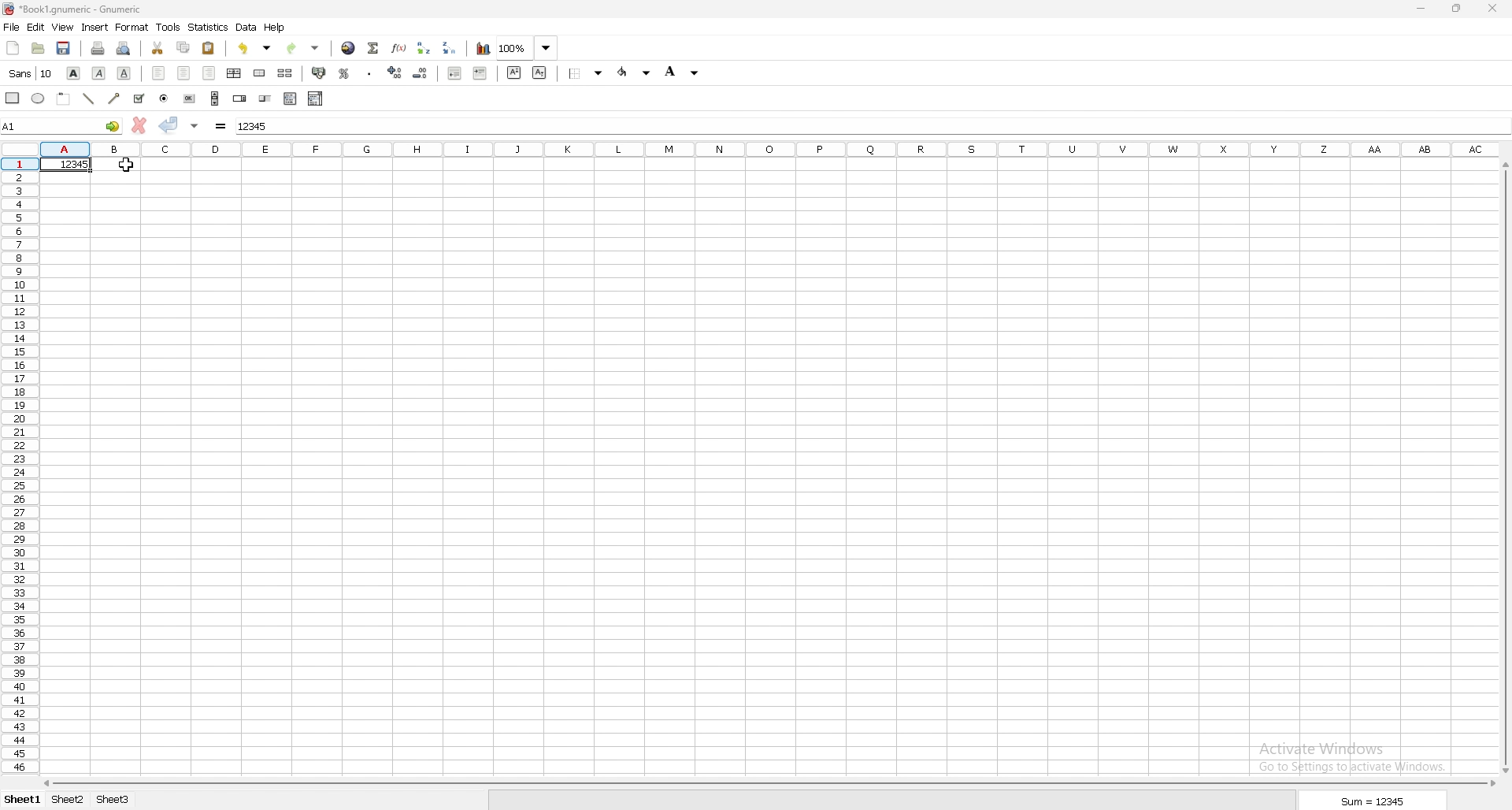 This screenshot has width=1512, height=810. Describe the element at coordinates (64, 99) in the screenshot. I see `frame` at that location.